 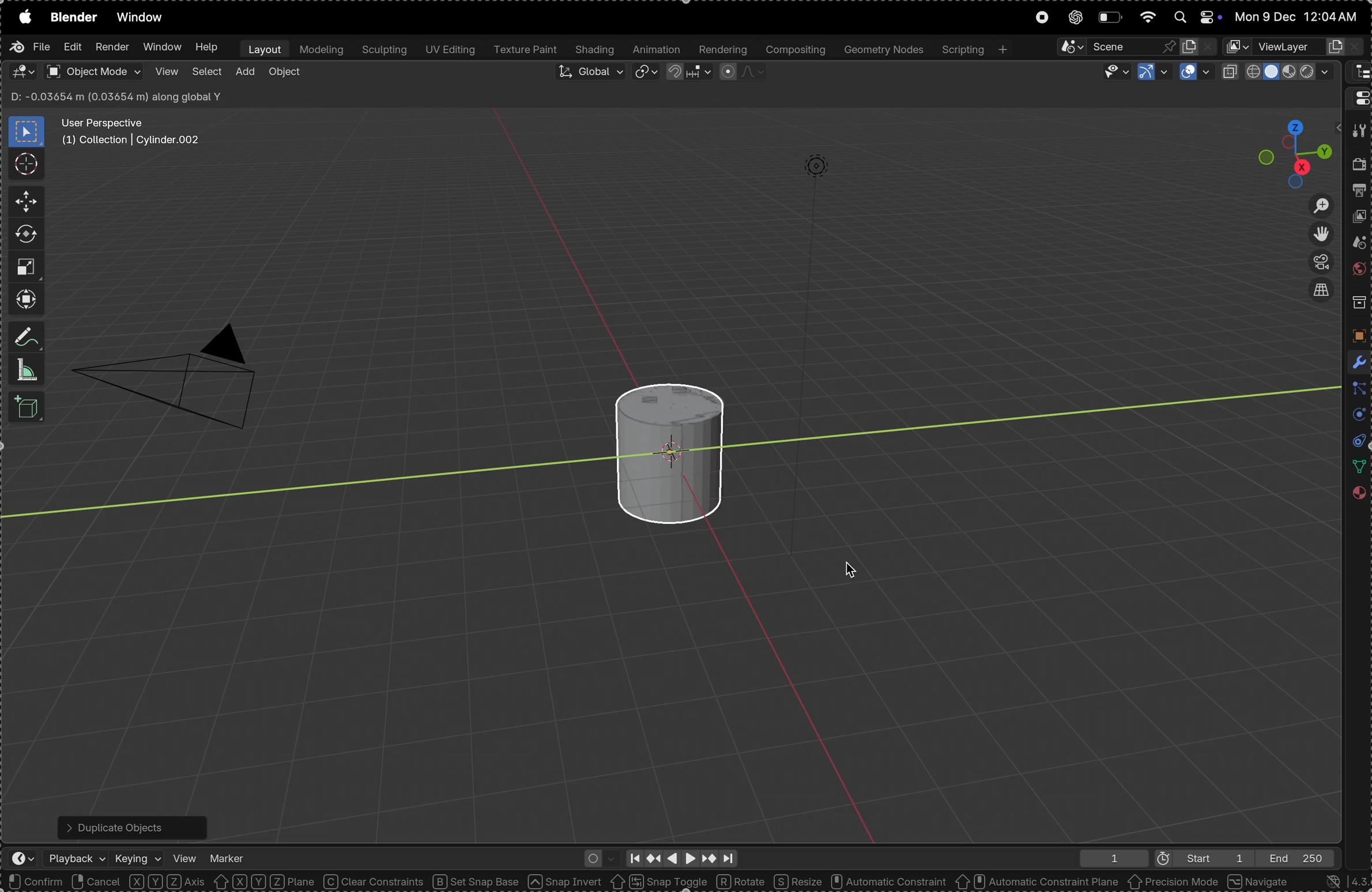 What do you see at coordinates (797, 881) in the screenshot?
I see `resize` at bounding box center [797, 881].